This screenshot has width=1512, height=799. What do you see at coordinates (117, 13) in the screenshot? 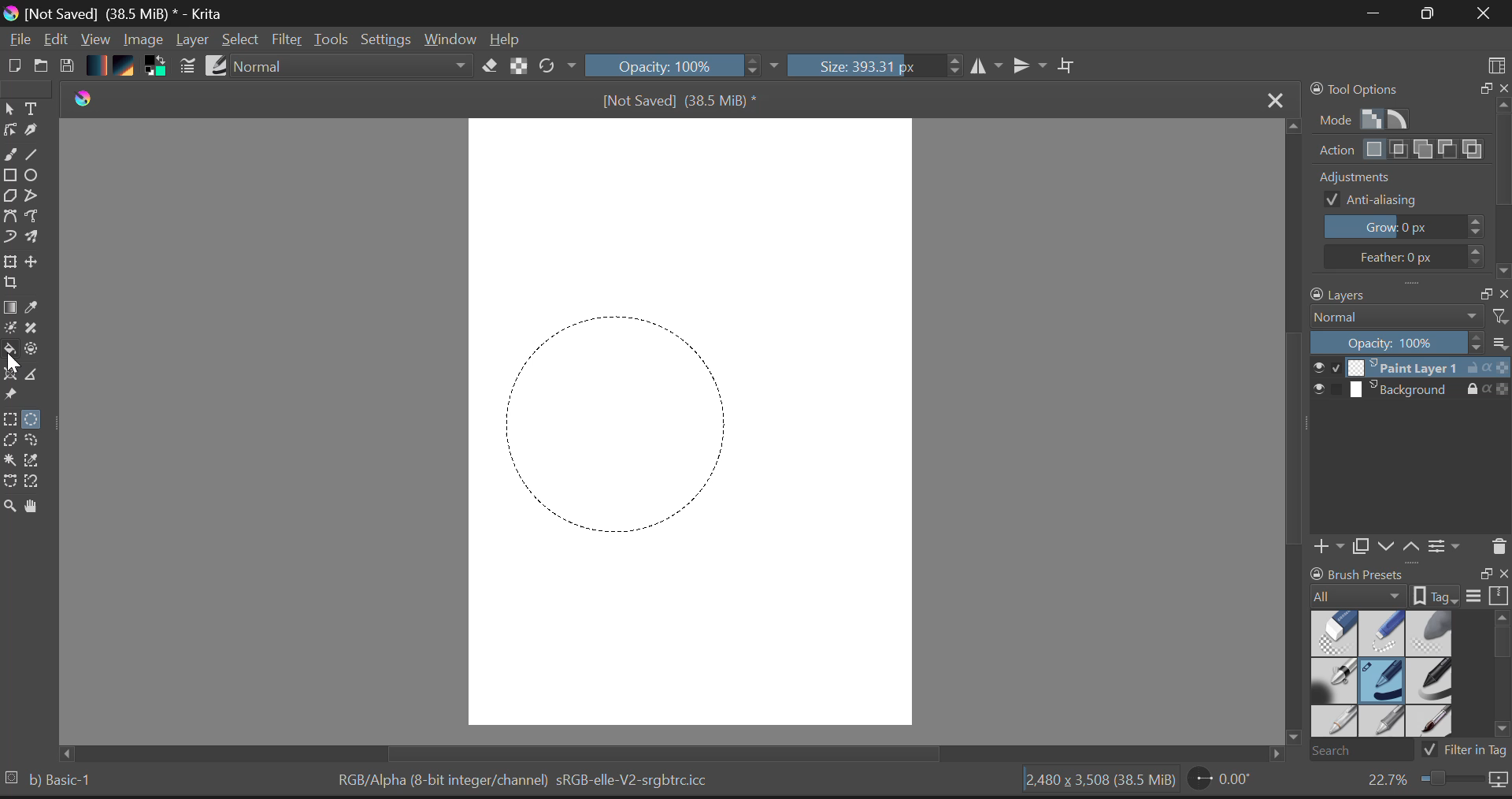
I see `Window Title` at bounding box center [117, 13].